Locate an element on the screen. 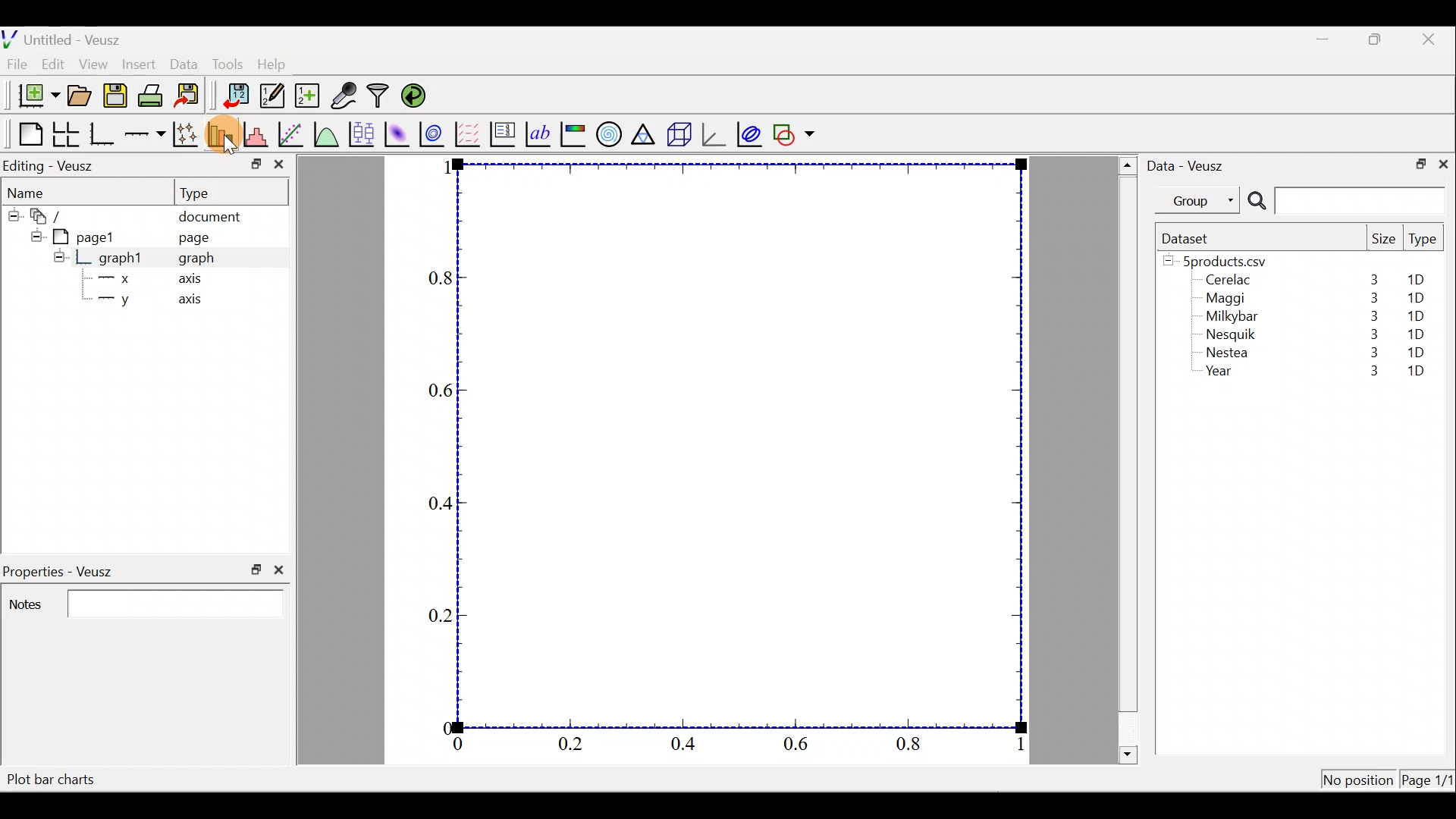 The height and width of the screenshot is (819, 1456). Plot key is located at coordinates (504, 133).